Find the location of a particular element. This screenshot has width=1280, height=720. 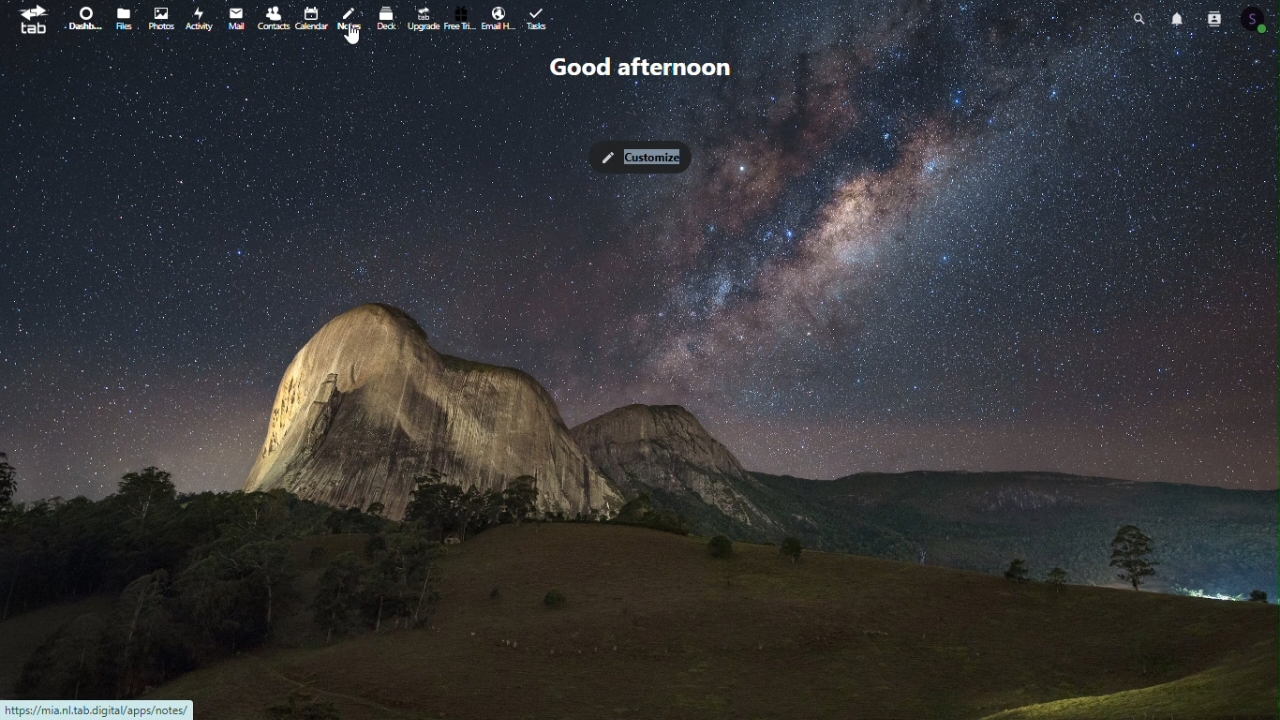

cursor is located at coordinates (353, 35).